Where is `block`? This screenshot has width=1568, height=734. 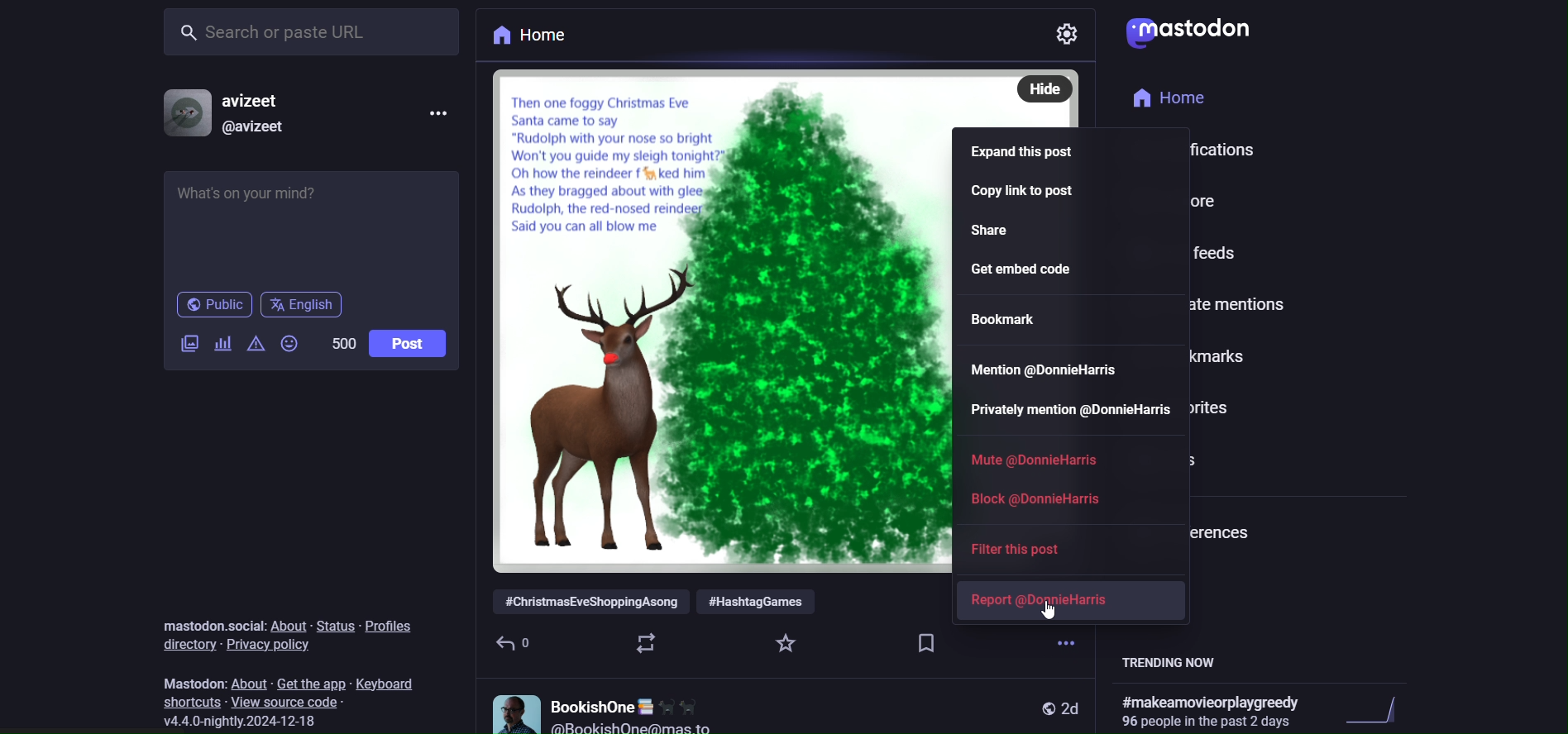
block is located at coordinates (1040, 498).